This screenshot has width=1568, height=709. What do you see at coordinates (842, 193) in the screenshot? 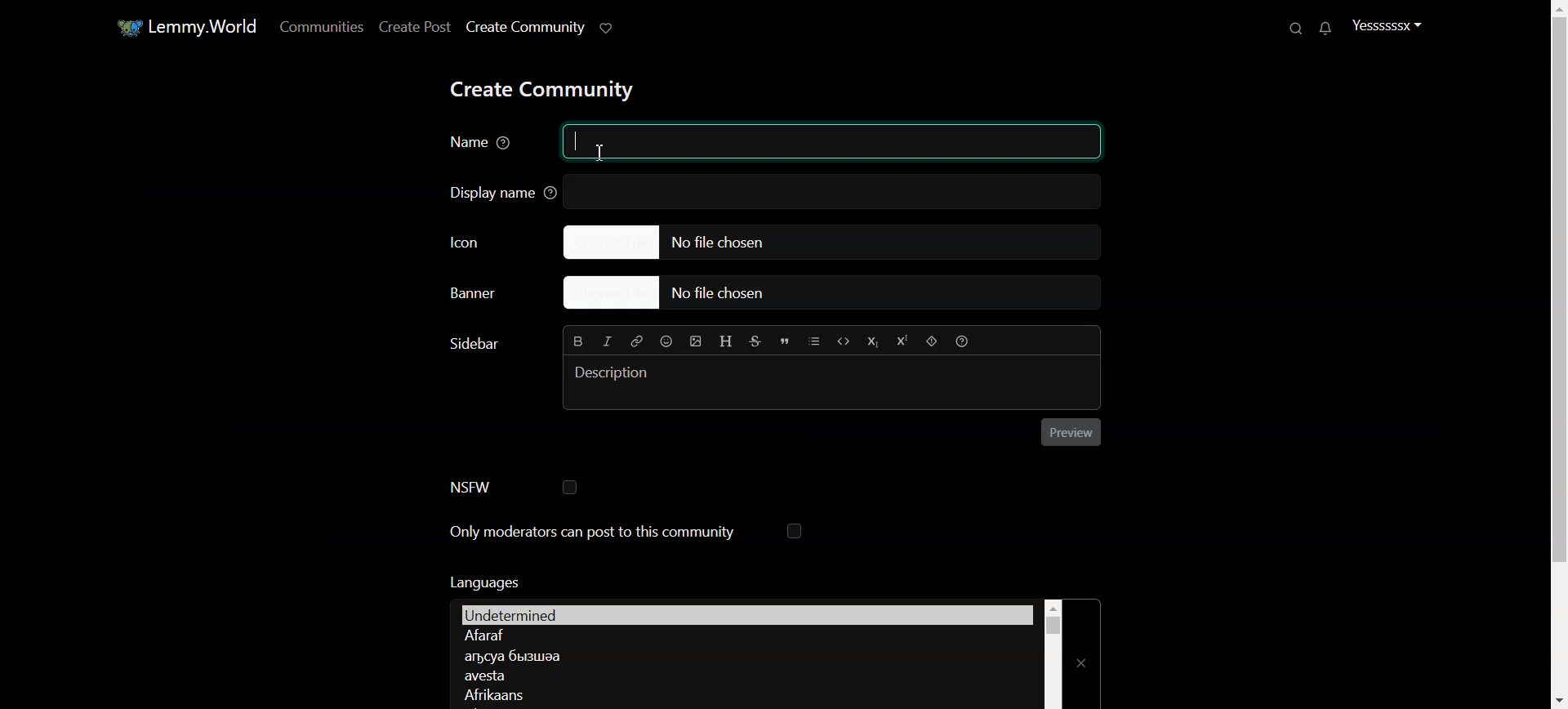
I see `text box` at bounding box center [842, 193].